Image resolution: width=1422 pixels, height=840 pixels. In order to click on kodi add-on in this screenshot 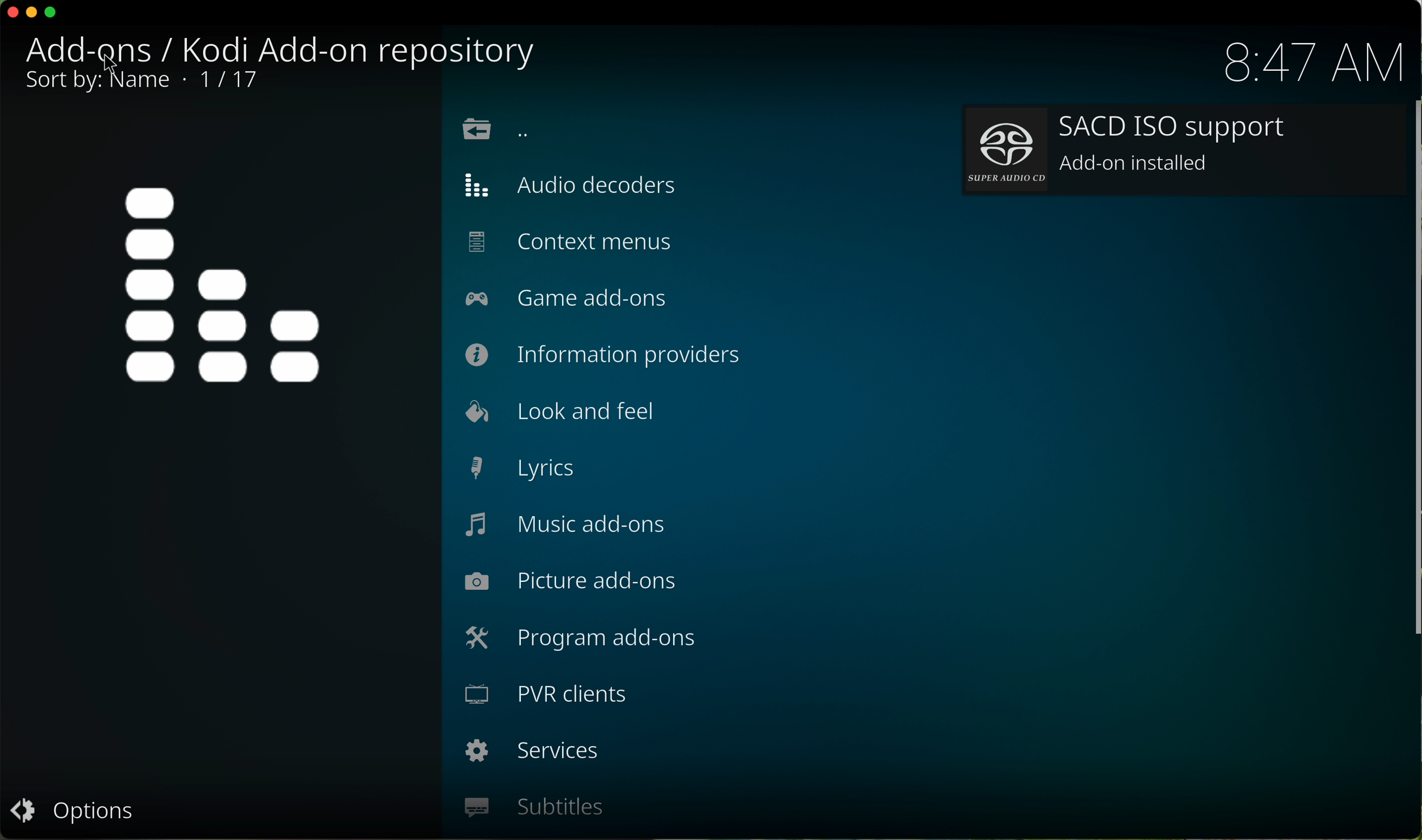, I will do `click(360, 50)`.